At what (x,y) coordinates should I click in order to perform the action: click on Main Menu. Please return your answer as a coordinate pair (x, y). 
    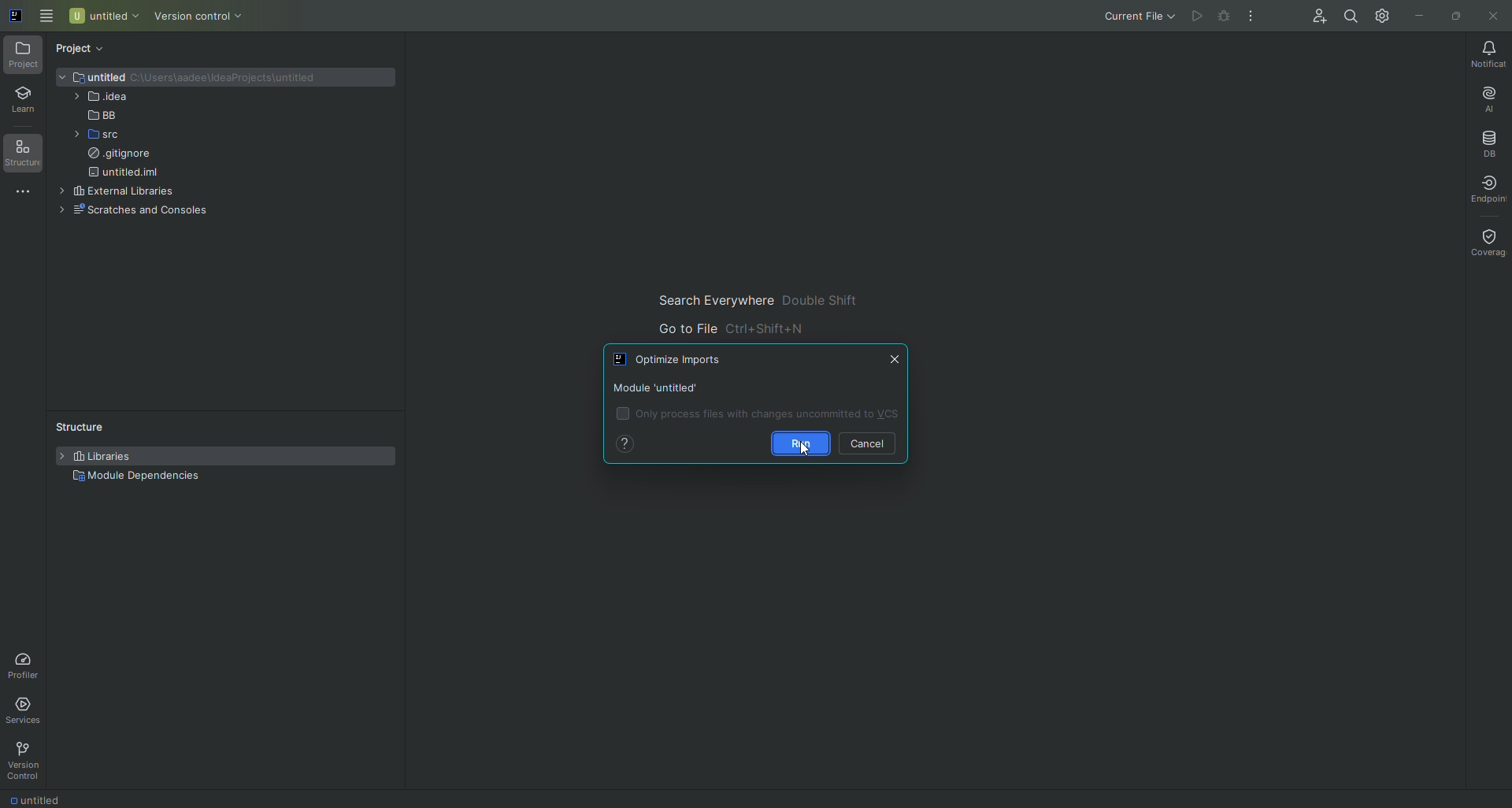
    Looking at the image, I should click on (46, 17).